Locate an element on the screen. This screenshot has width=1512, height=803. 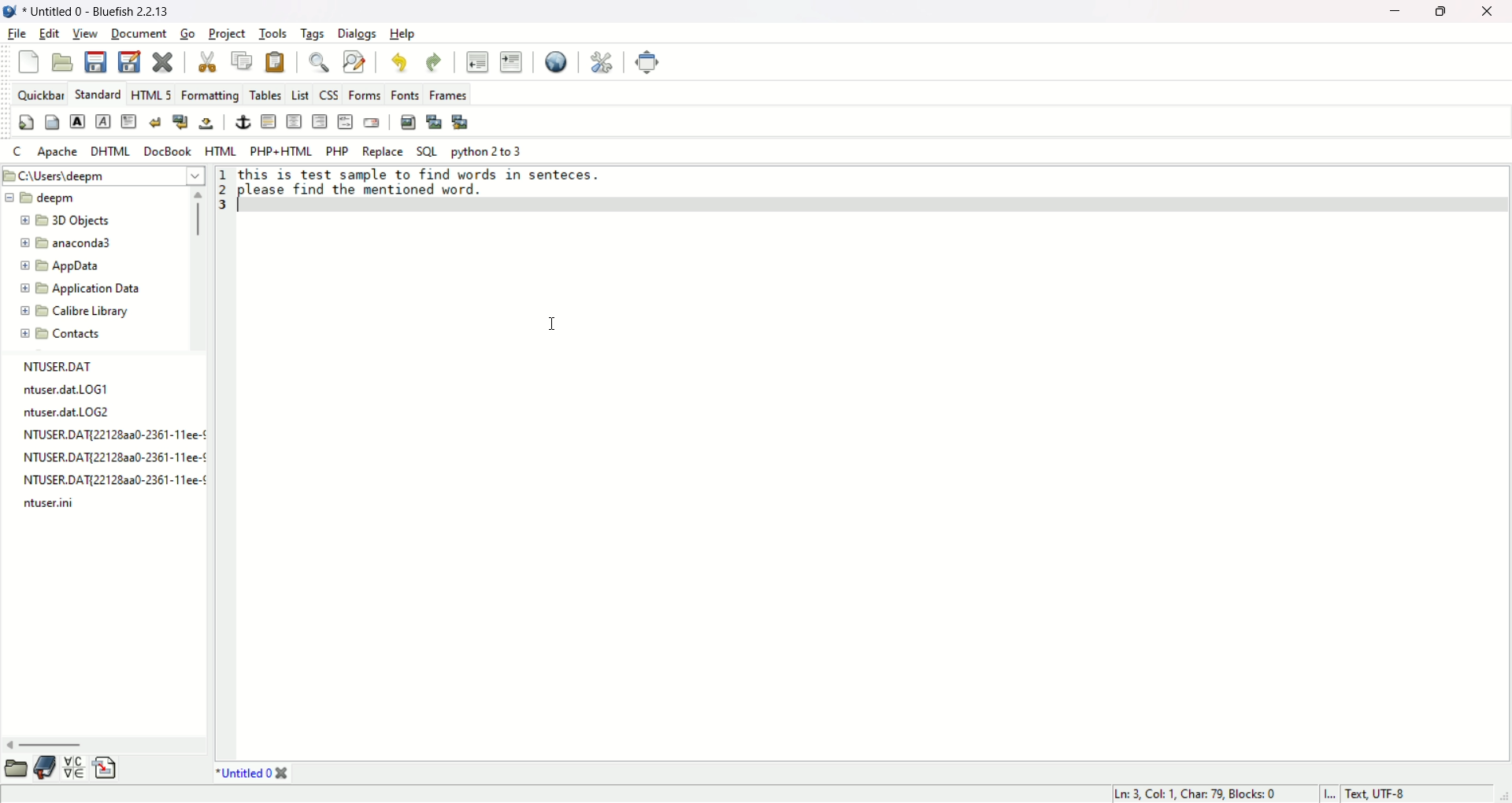
Standard is located at coordinates (97, 93).